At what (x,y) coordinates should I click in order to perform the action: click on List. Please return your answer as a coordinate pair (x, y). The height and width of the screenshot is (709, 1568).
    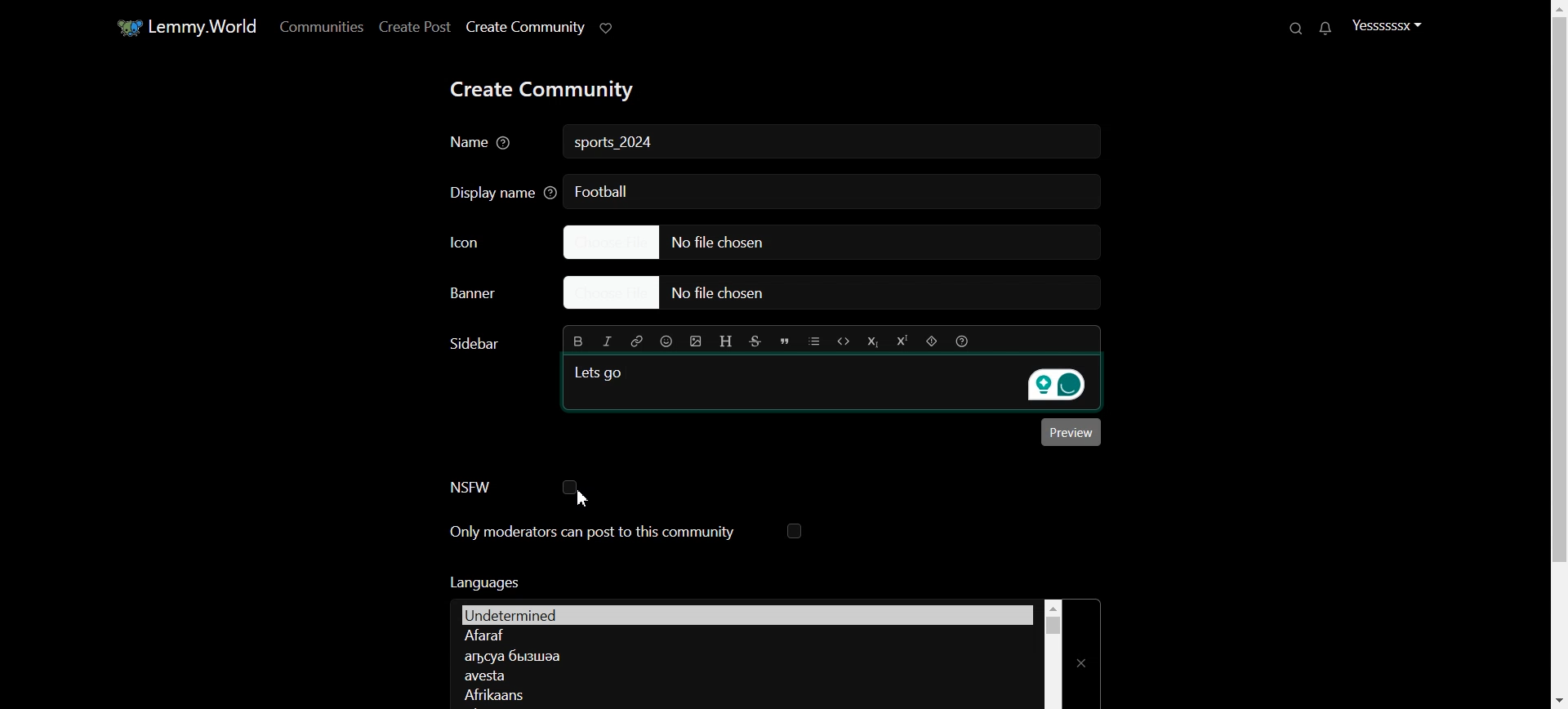
    Looking at the image, I should click on (814, 341).